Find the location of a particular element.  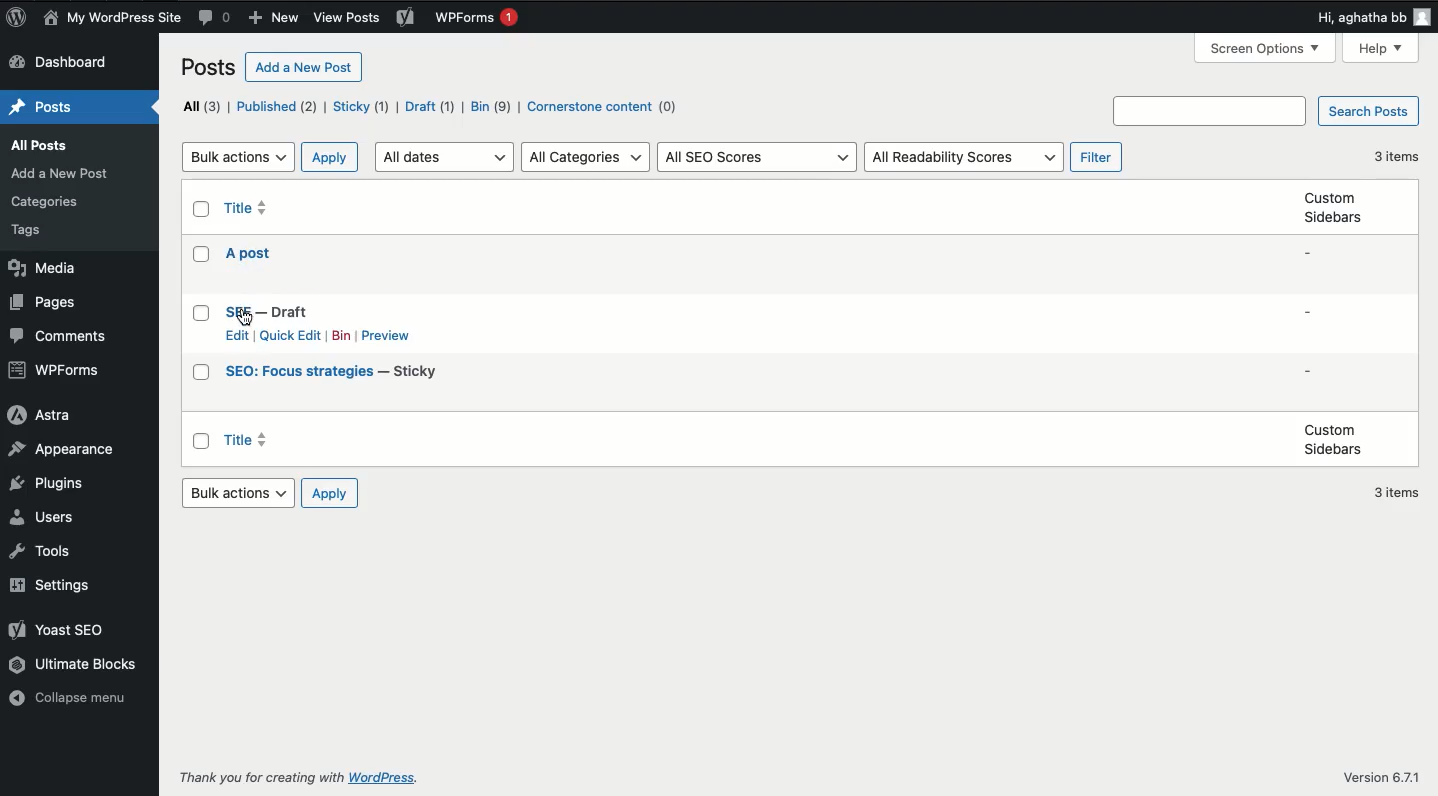

Dashboard  is located at coordinates (59, 63).